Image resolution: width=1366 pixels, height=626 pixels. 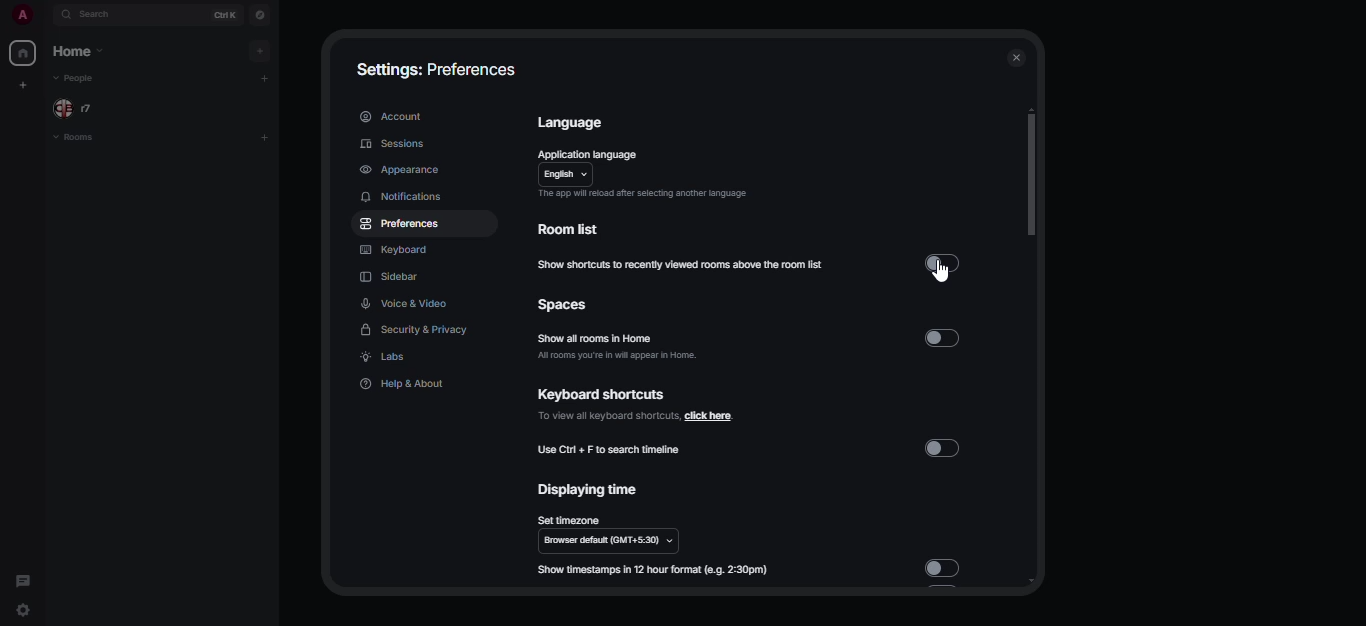 I want to click on add, so click(x=259, y=51).